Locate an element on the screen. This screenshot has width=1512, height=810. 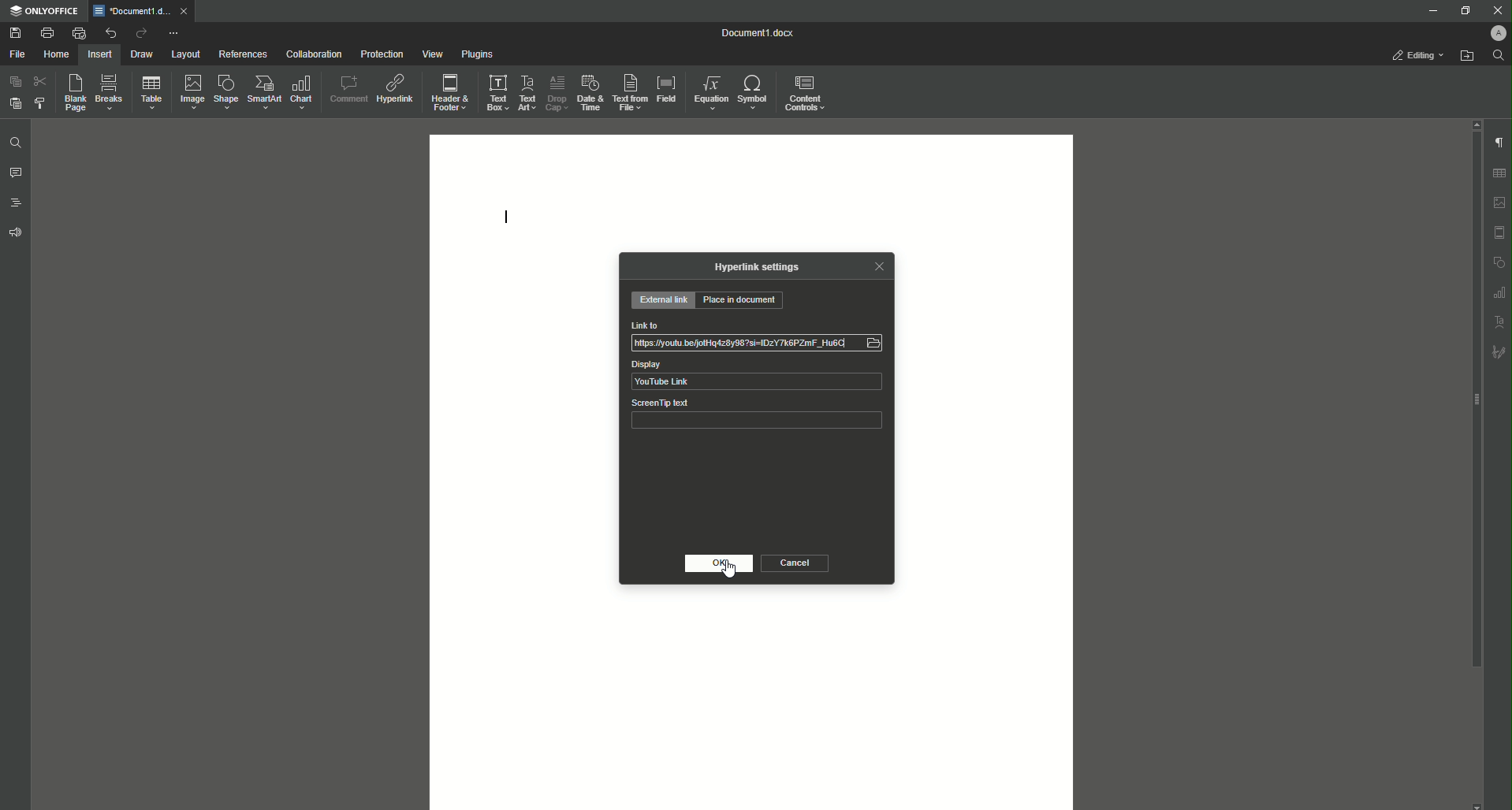
SmartArt is located at coordinates (266, 92).